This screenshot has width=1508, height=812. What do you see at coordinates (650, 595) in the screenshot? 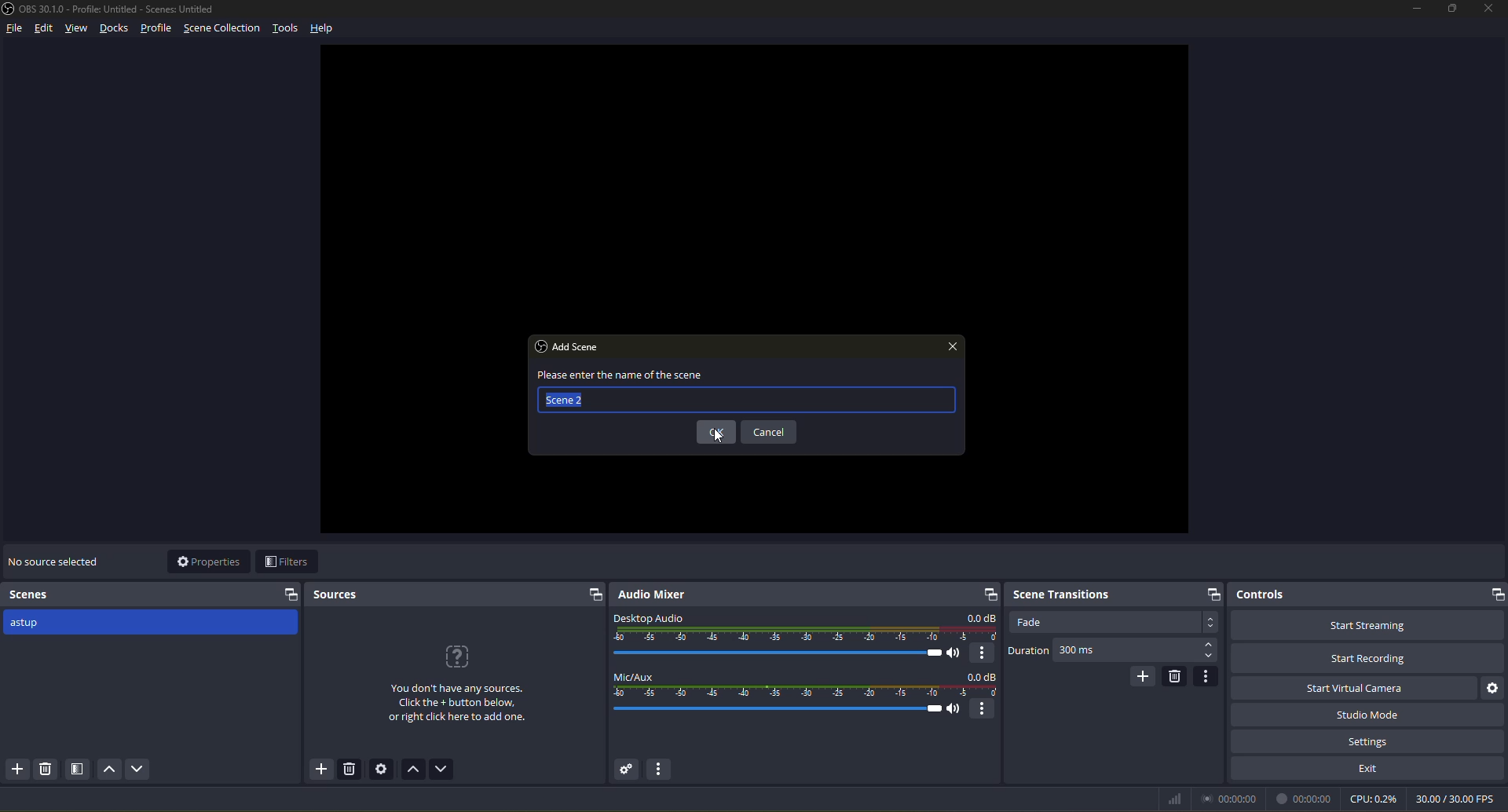
I see `audio mixer` at bounding box center [650, 595].